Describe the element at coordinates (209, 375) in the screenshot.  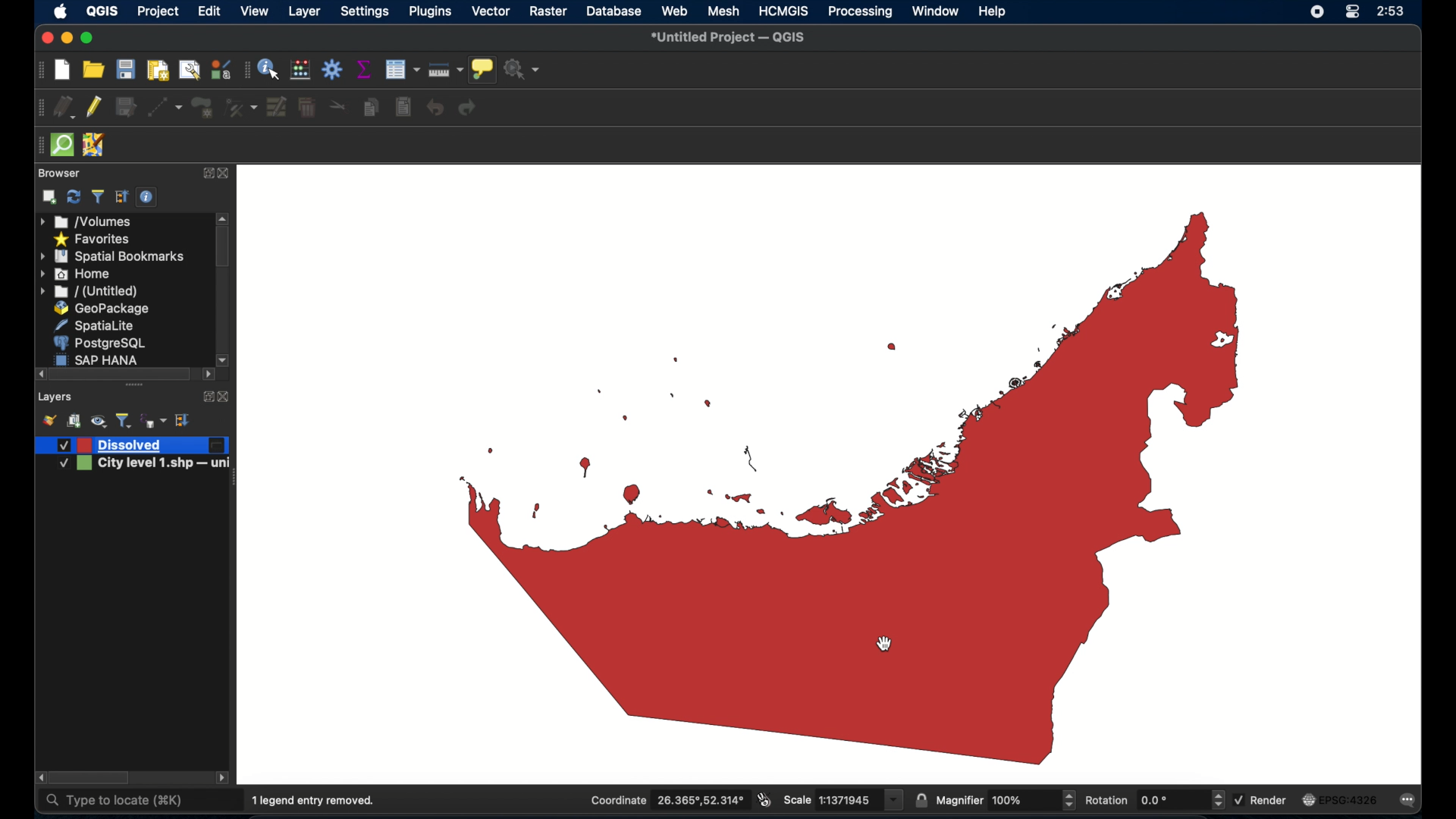
I see `scroll right arrow` at that location.